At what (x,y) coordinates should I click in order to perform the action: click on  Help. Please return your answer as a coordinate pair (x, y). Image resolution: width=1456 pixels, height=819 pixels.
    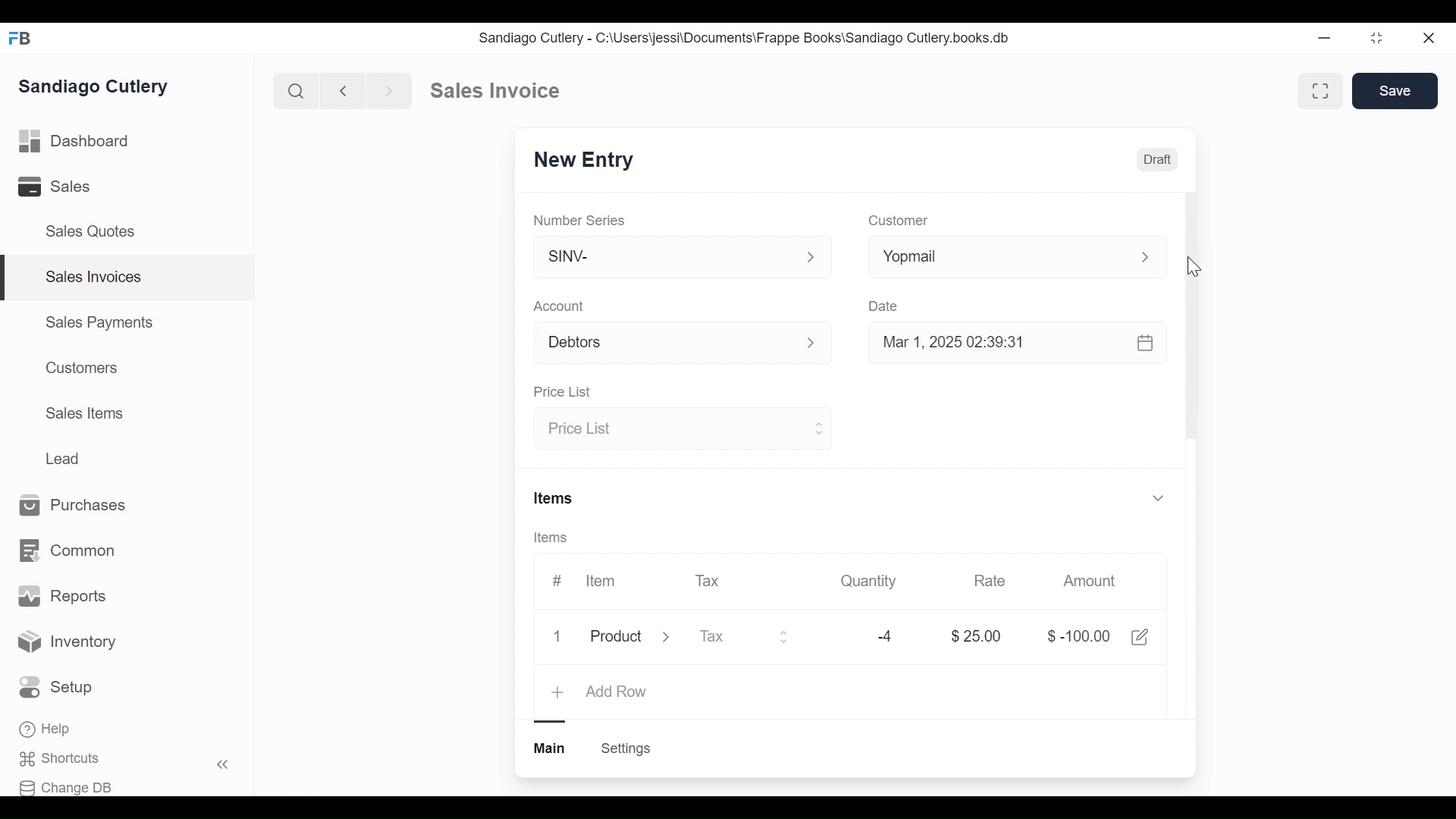
    Looking at the image, I should click on (45, 729).